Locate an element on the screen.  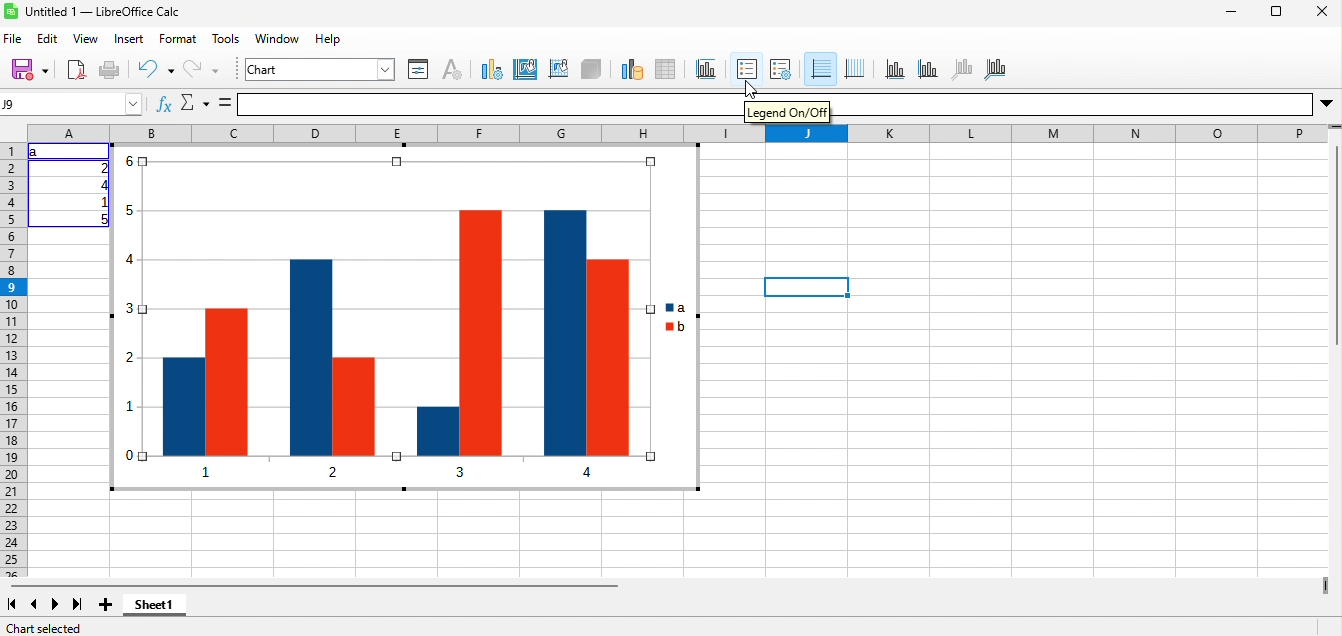
x axis is located at coordinates (896, 70).